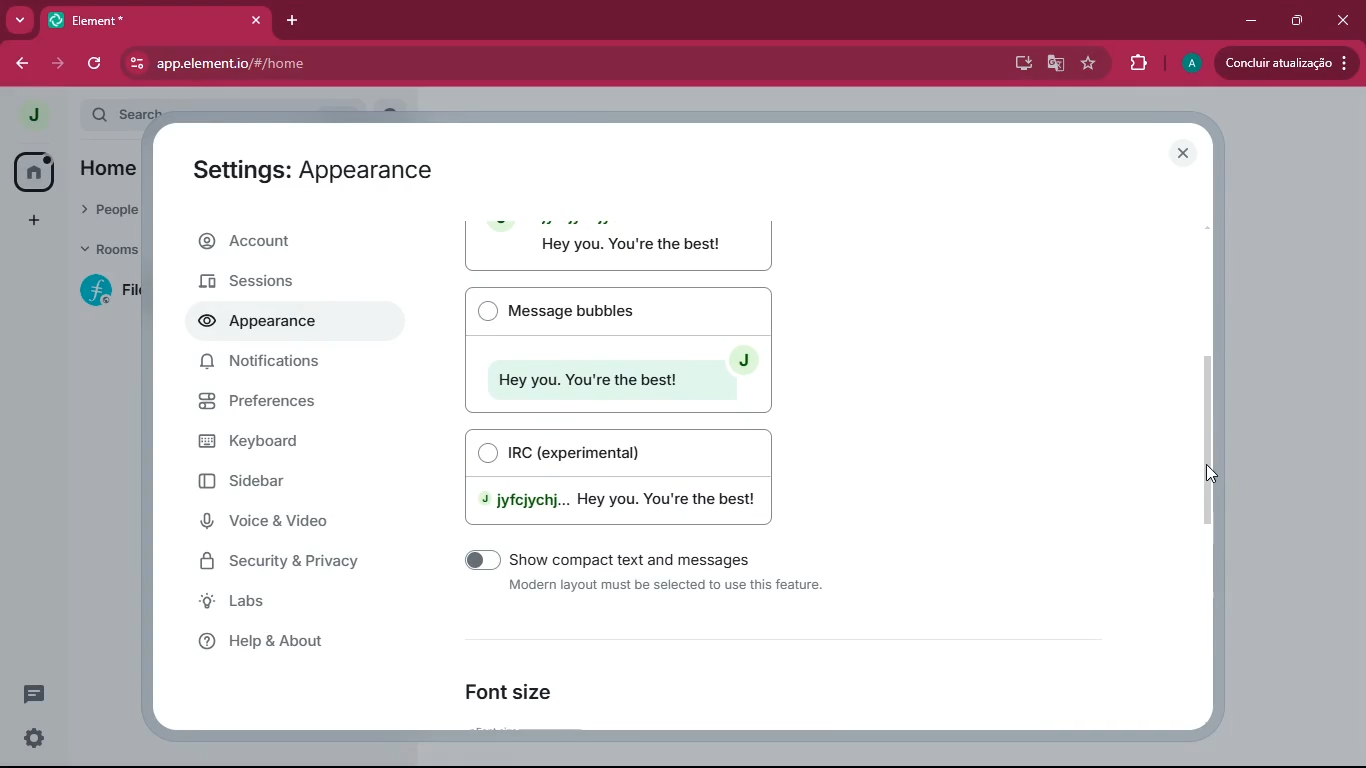  Describe the element at coordinates (267, 362) in the screenshot. I see `notifications` at that location.